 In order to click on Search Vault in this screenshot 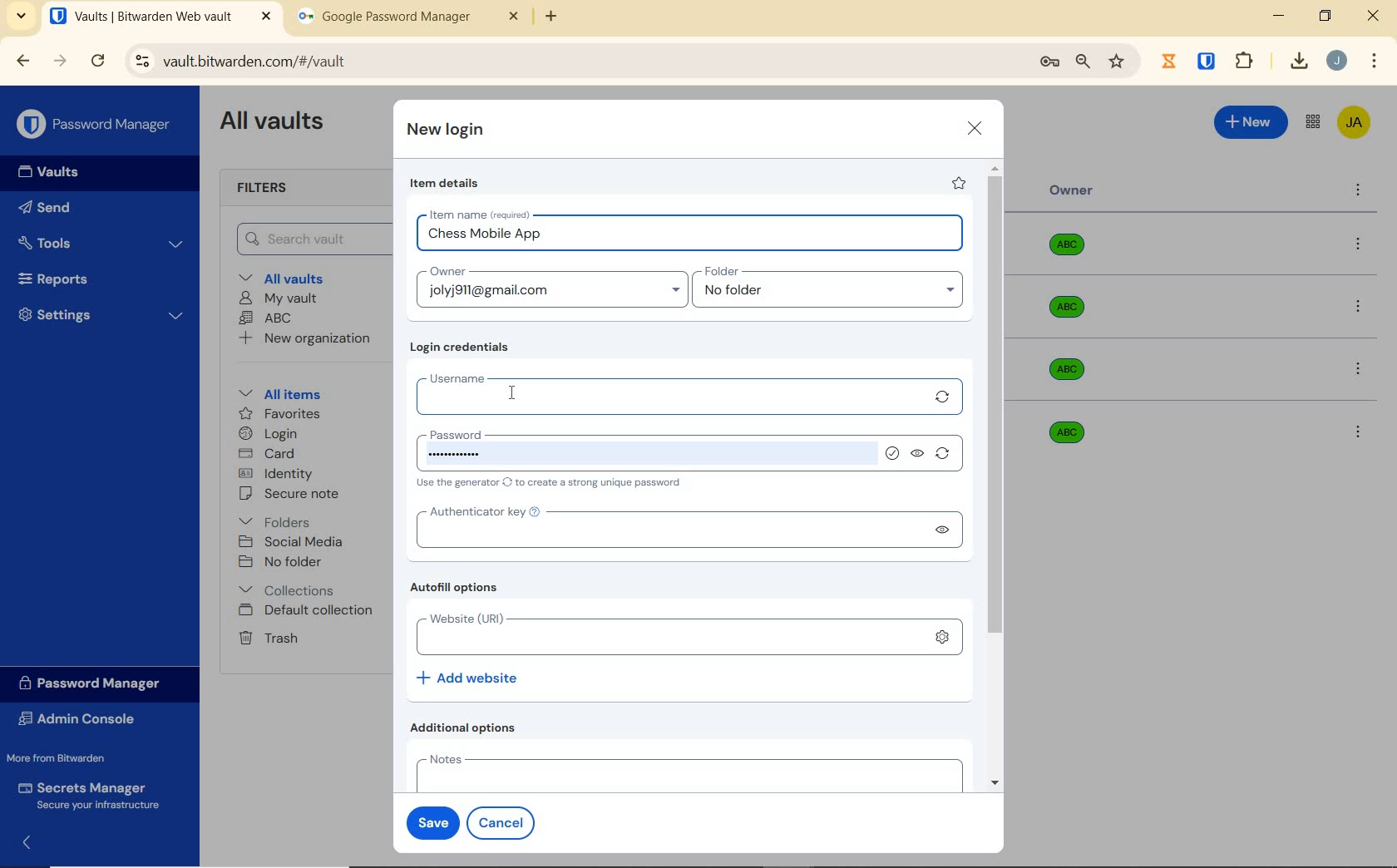, I will do `click(309, 239)`.